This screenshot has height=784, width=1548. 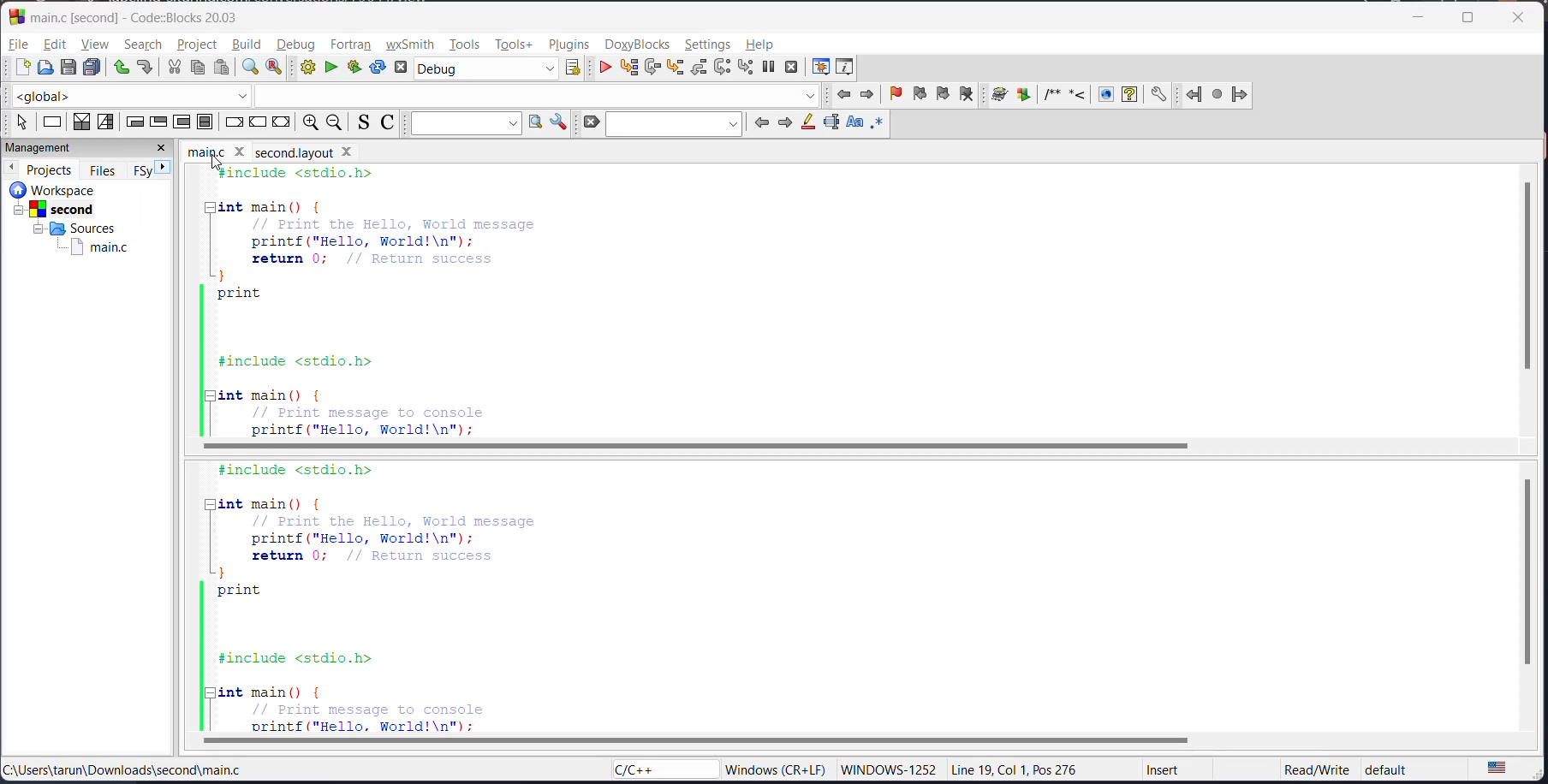 What do you see at coordinates (1388, 767) in the screenshot?
I see `default` at bounding box center [1388, 767].